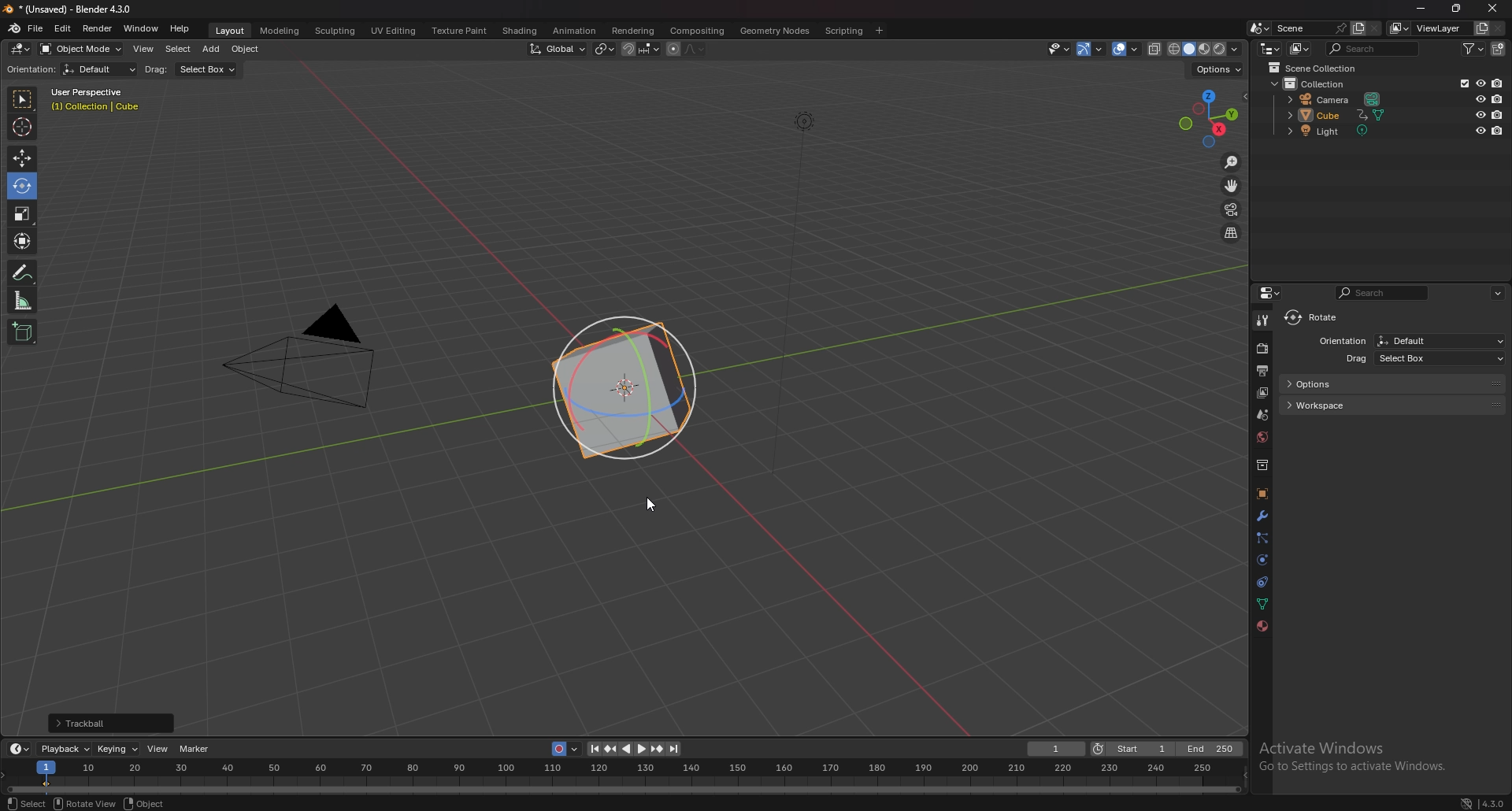 This screenshot has width=1512, height=811. I want to click on search, so click(1383, 292).